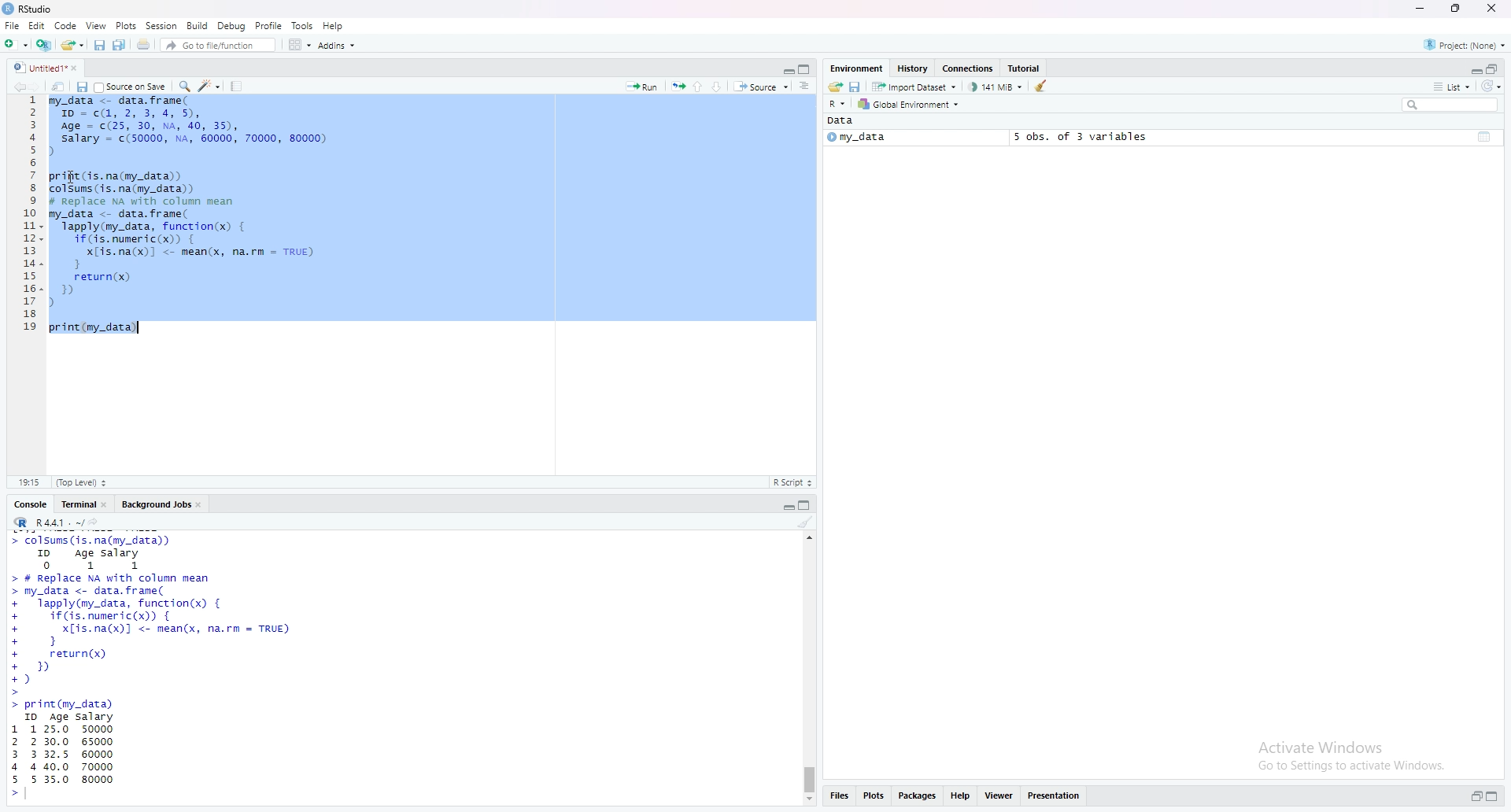 This screenshot has height=812, width=1511. I want to click on view, so click(96, 25).